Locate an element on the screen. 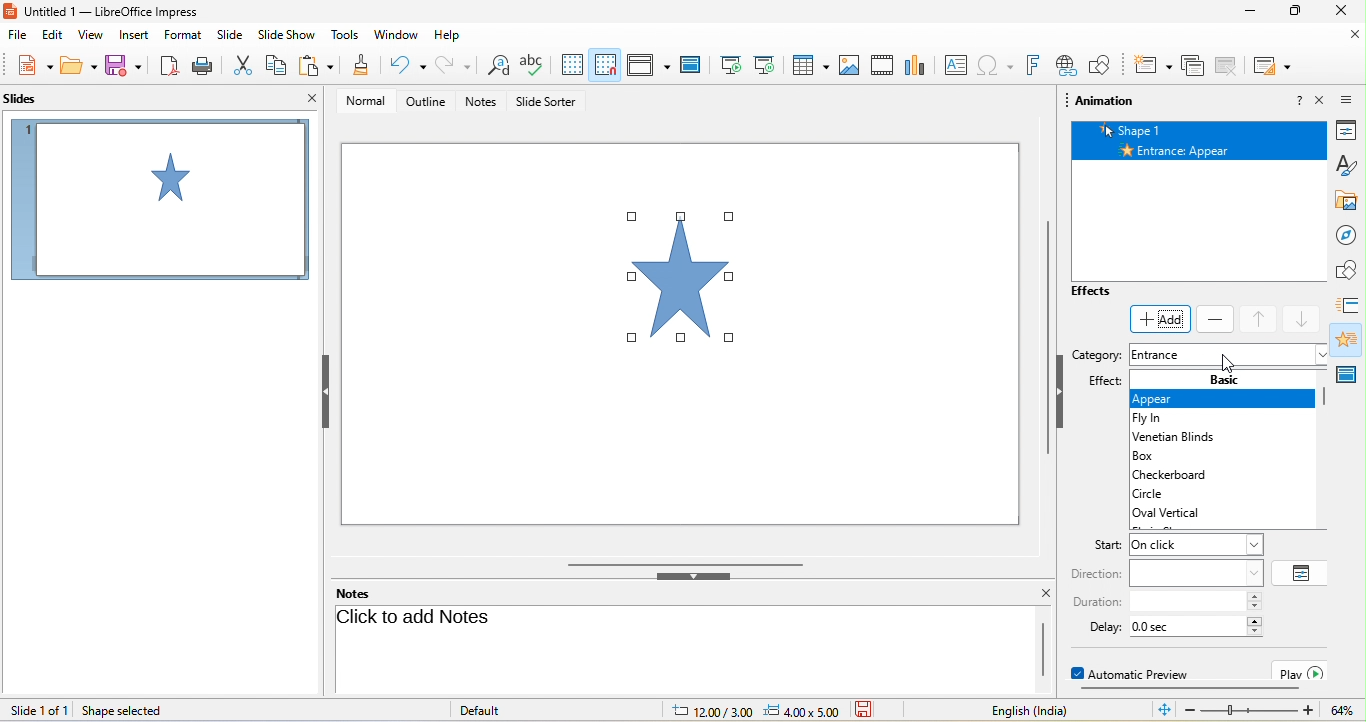  fit slide to current window is located at coordinates (1164, 711).